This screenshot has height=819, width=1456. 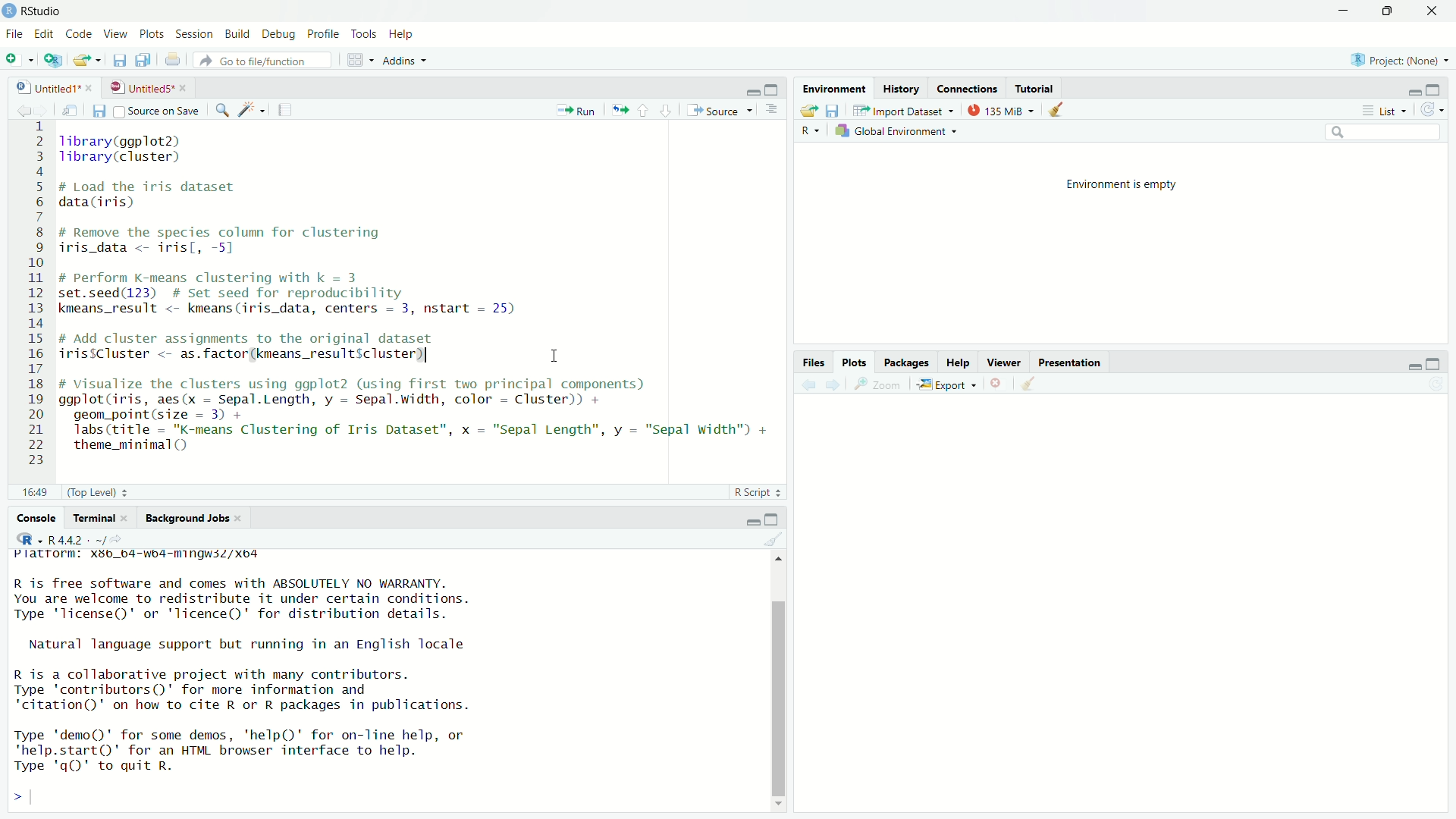 What do you see at coordinates (780, 809) in the screenshot?
I see `move down` at bounding box center [780, 809].